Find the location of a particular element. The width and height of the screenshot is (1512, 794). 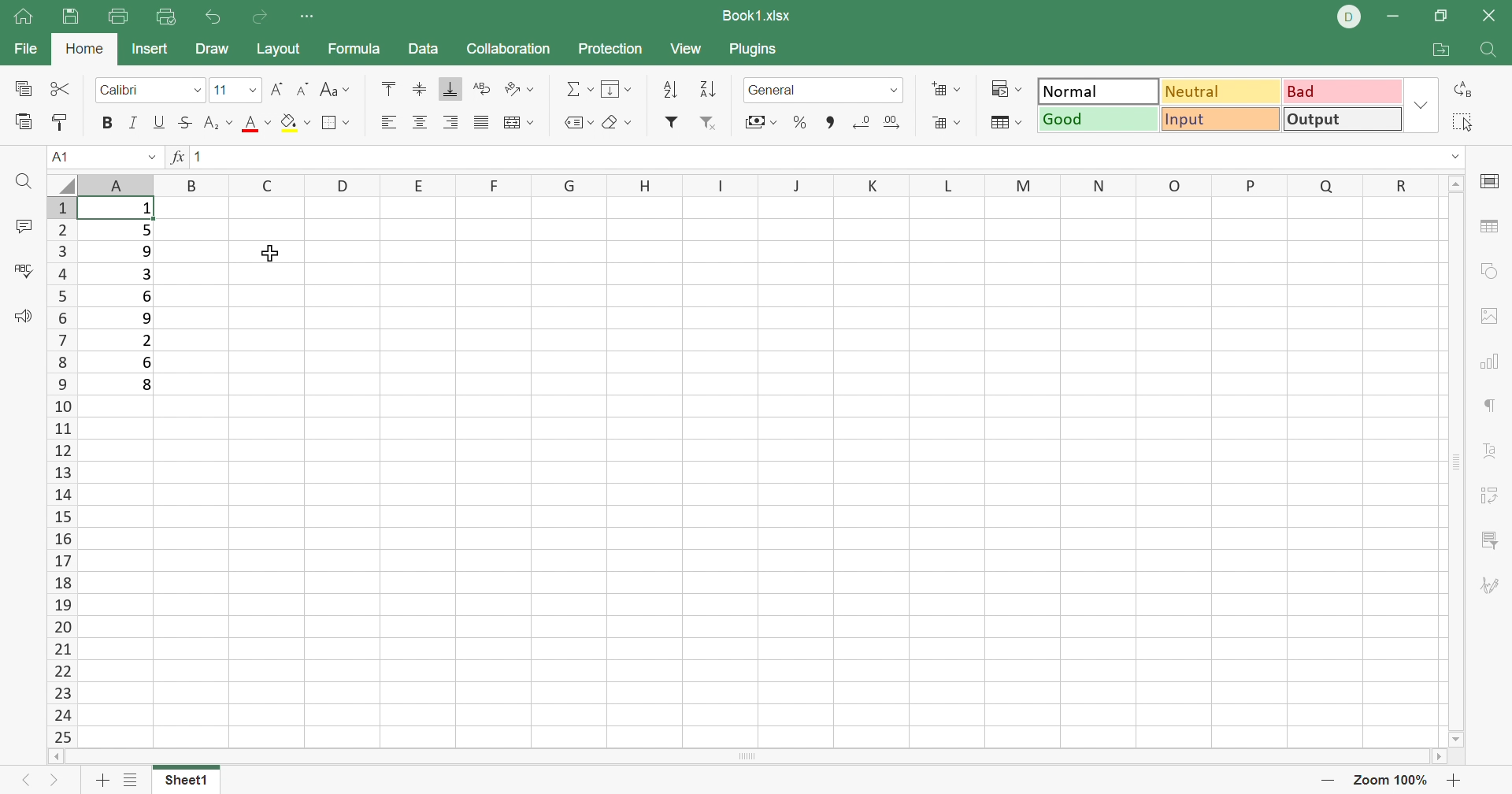

Collaboration is located at coordinates (511, 50).